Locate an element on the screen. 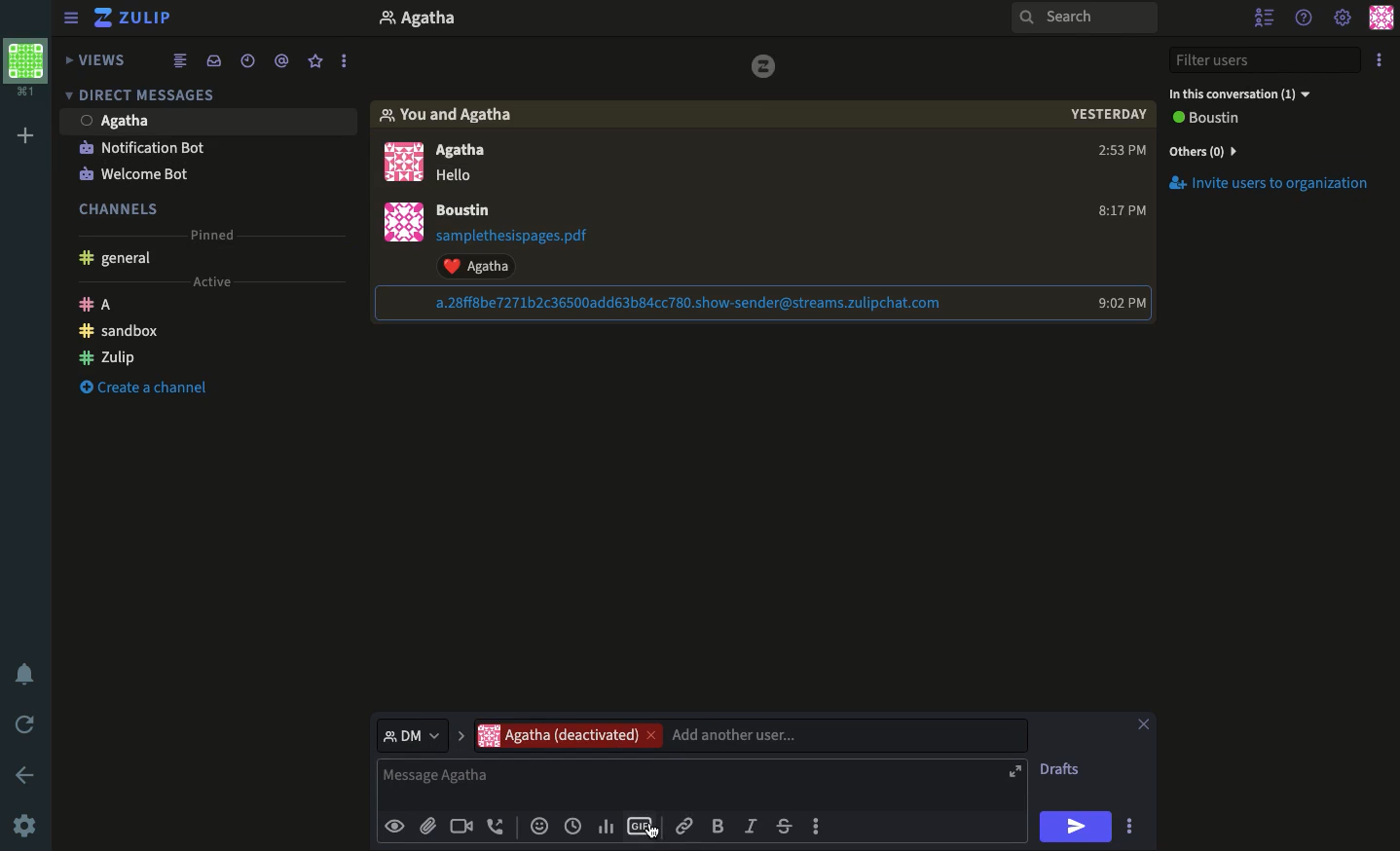 The width and height of the screenshot is (1400, 851). Close is located at coordinates (1144, 721).